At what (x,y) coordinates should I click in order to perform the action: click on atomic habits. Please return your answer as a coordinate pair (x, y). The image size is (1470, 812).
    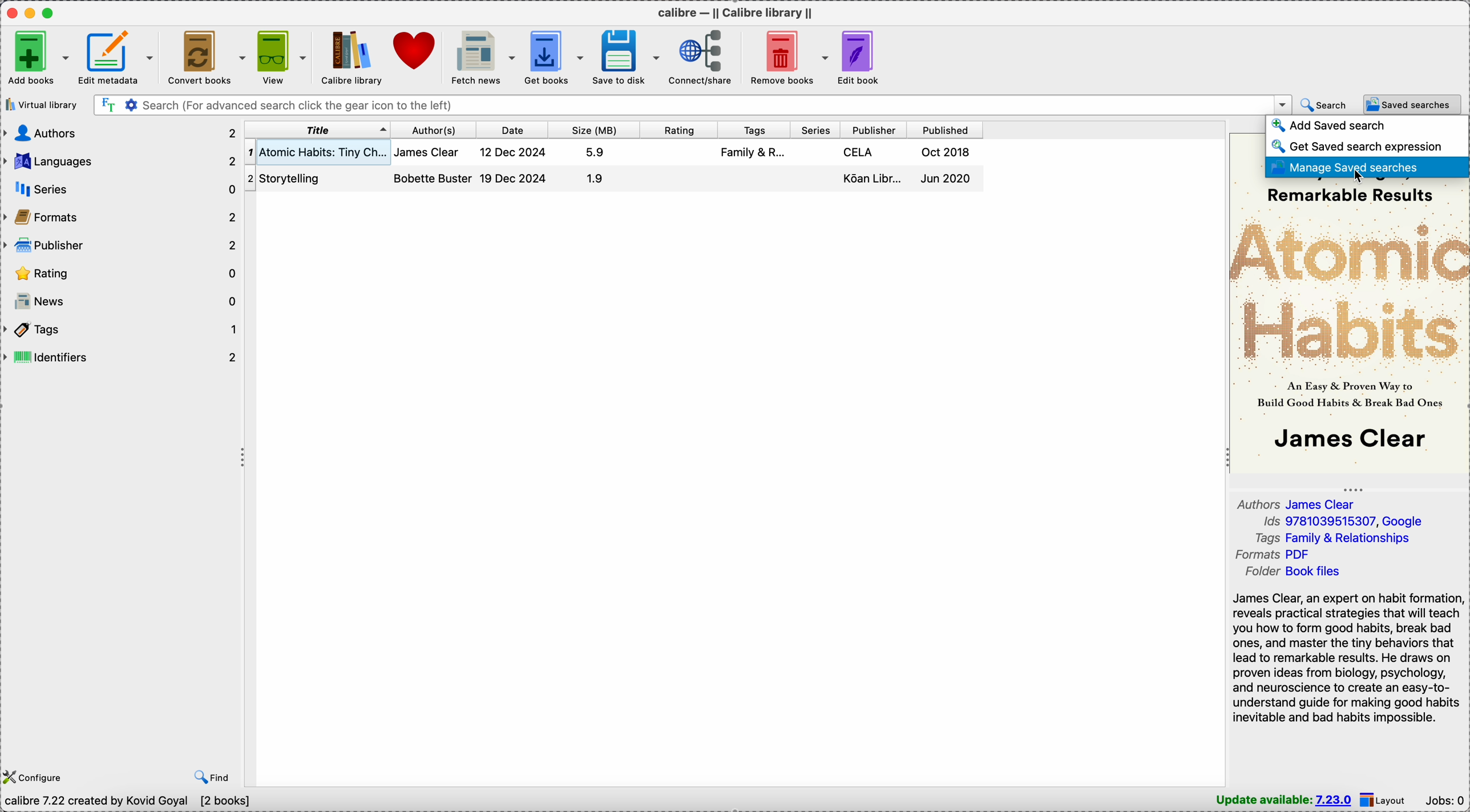
    Looking at the image, I should click on (316, 152).